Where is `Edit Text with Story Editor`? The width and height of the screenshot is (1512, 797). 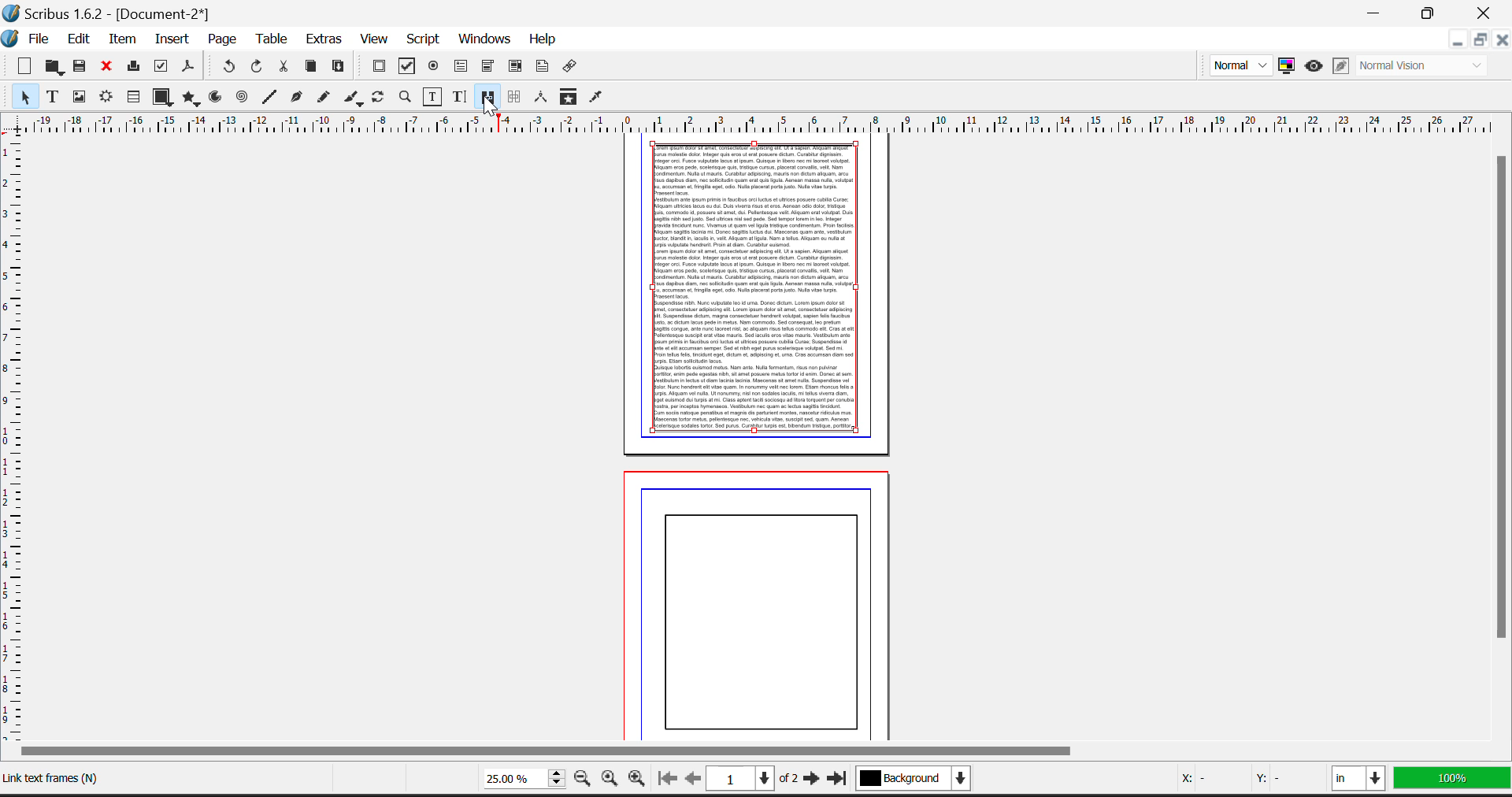 Edit Text with Story Editor is located at coordinates (458, 97).